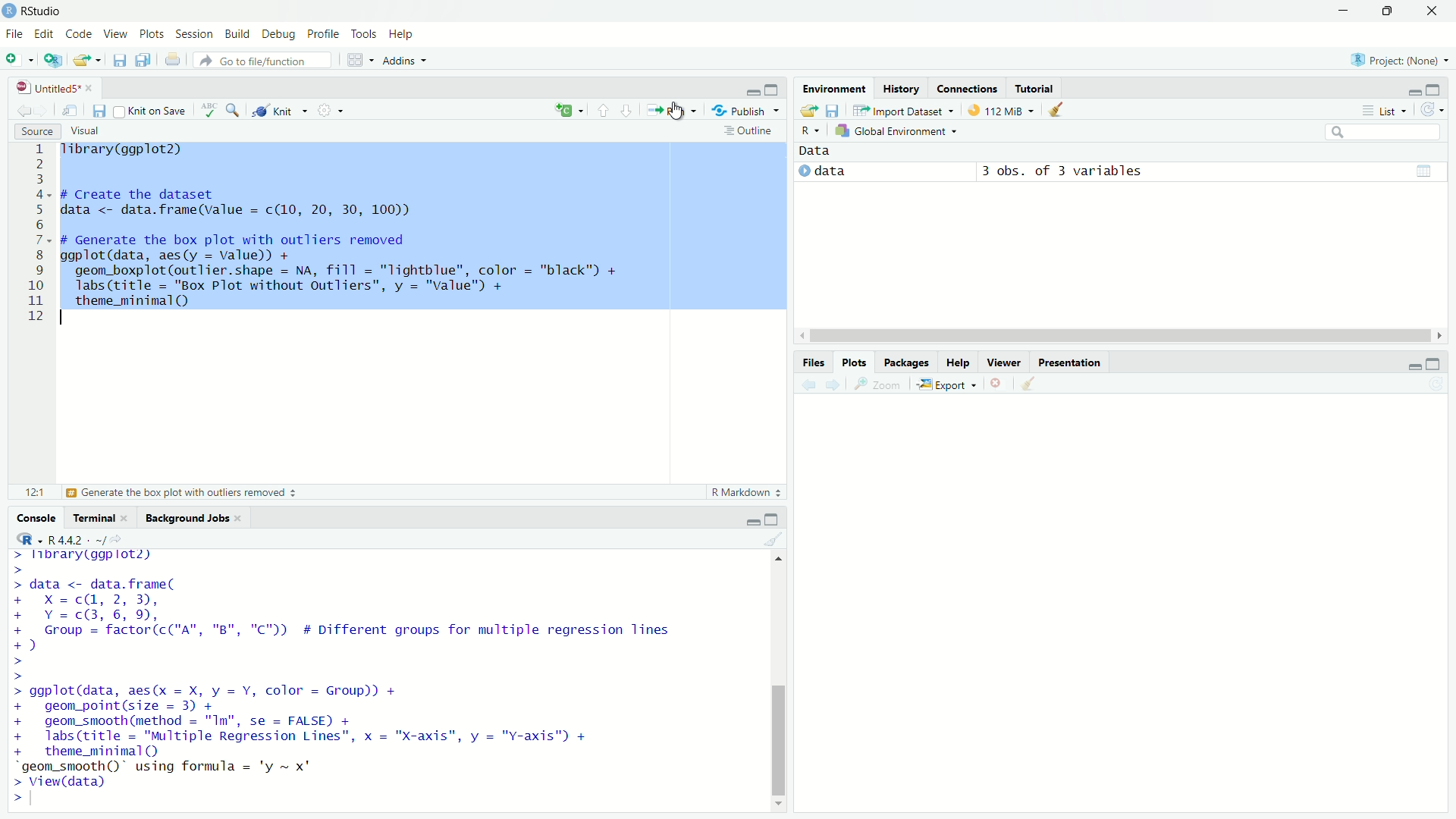 The width and height of the screenshot is (1456, 819). Describe the element at coordinates (996, 383) in the screenshot. I see `close` at that location.